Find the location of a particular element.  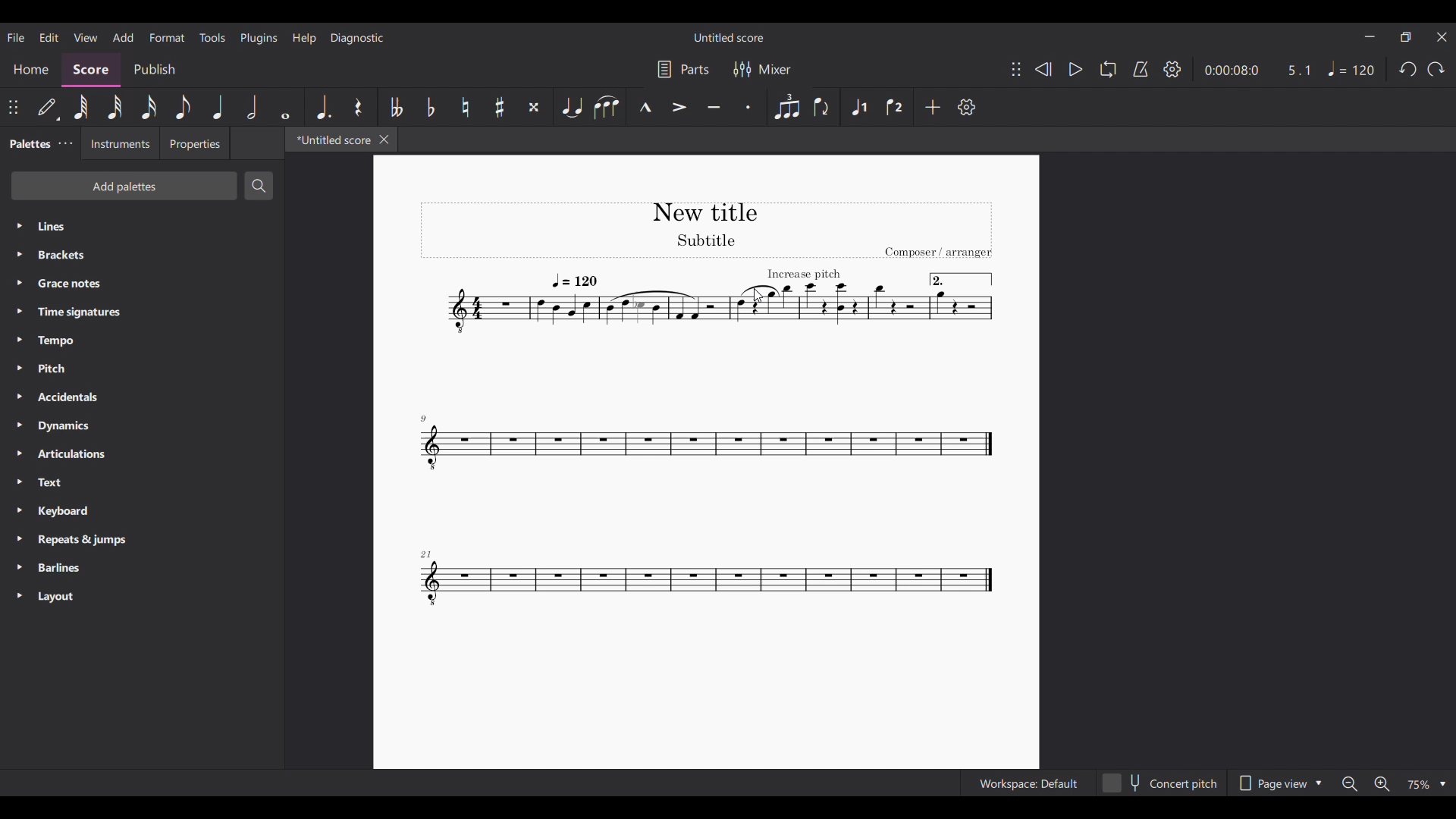

Marcato is located at coordinates (644, 107).